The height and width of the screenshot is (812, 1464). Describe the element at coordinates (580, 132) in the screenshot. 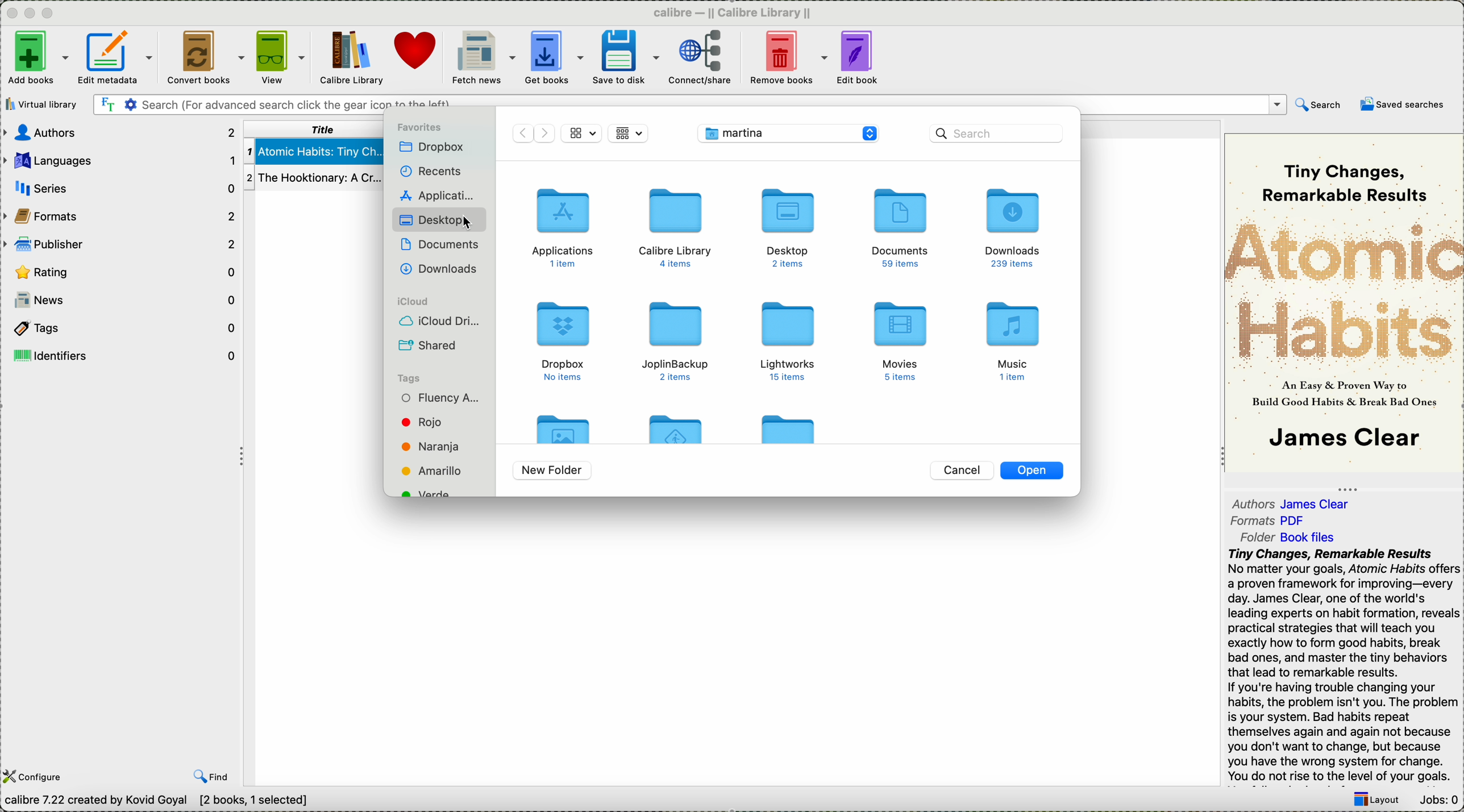

I see `icon` at that location.